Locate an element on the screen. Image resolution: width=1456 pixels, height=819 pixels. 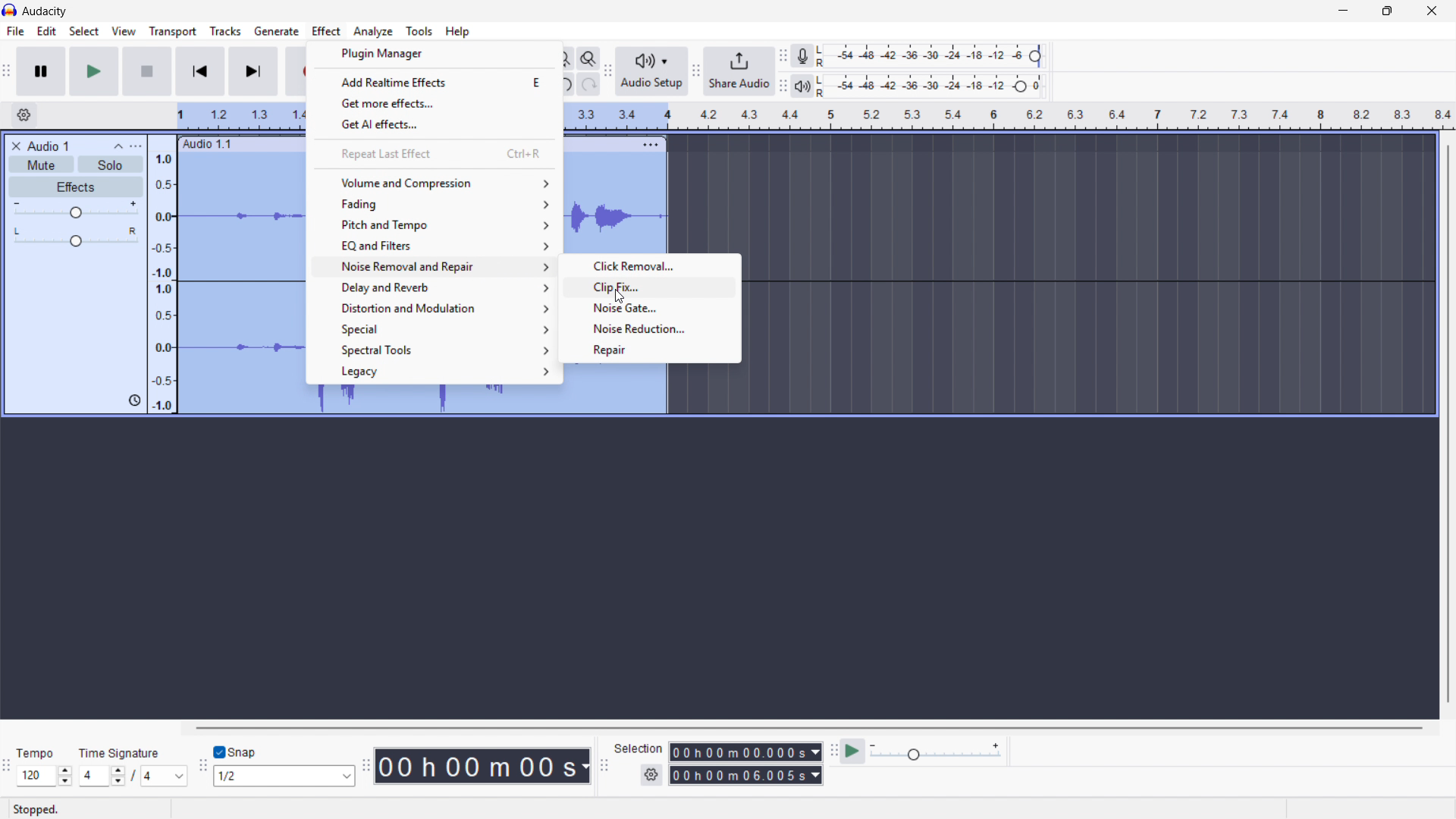
Set snapping is located at coordinates (284, 776).